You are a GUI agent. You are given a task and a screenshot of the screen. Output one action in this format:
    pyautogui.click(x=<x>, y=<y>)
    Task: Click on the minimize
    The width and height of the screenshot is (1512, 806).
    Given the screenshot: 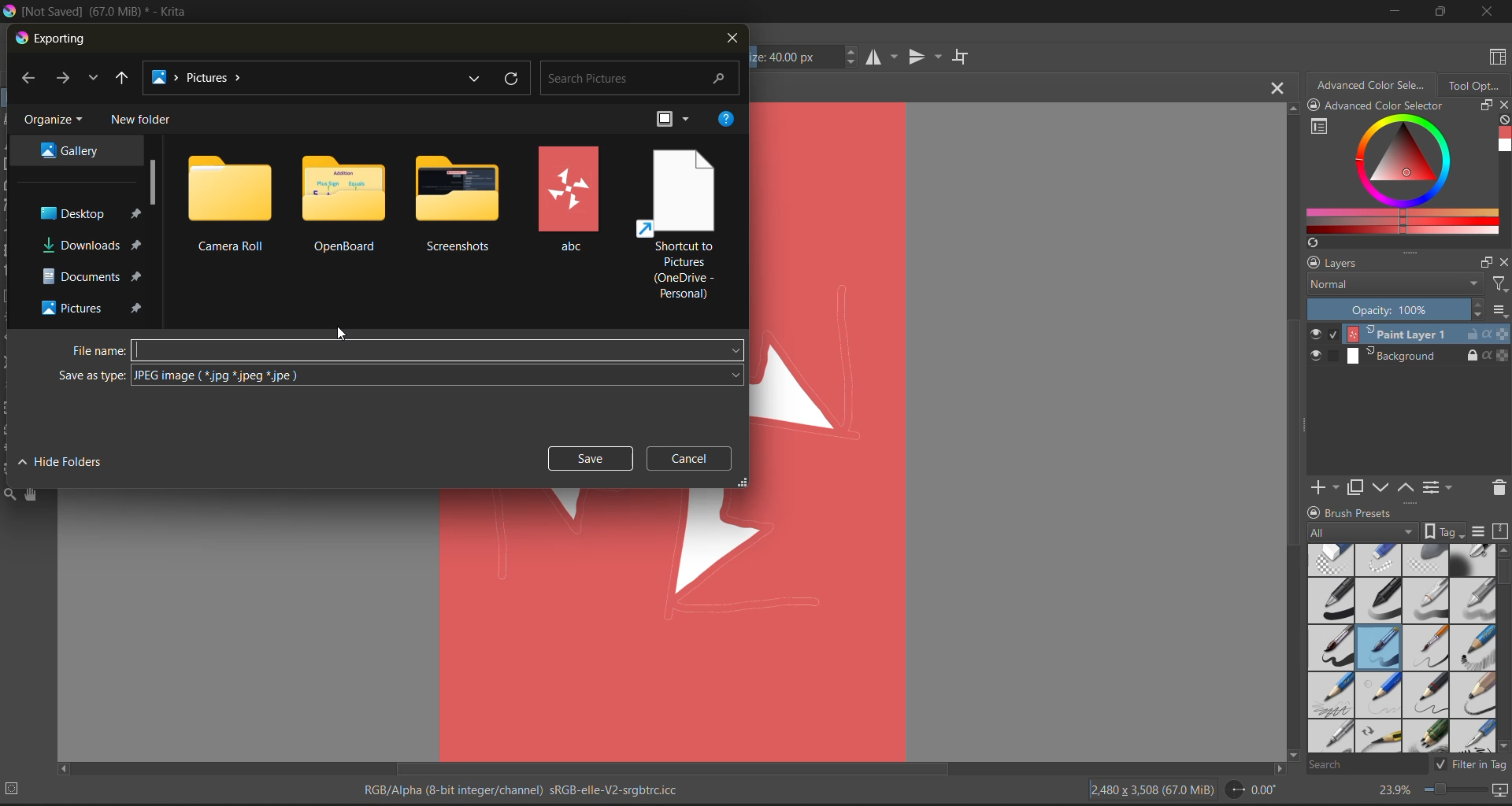 What is the action you would take?
    pyautogui.click(x=1396, y=14)
    